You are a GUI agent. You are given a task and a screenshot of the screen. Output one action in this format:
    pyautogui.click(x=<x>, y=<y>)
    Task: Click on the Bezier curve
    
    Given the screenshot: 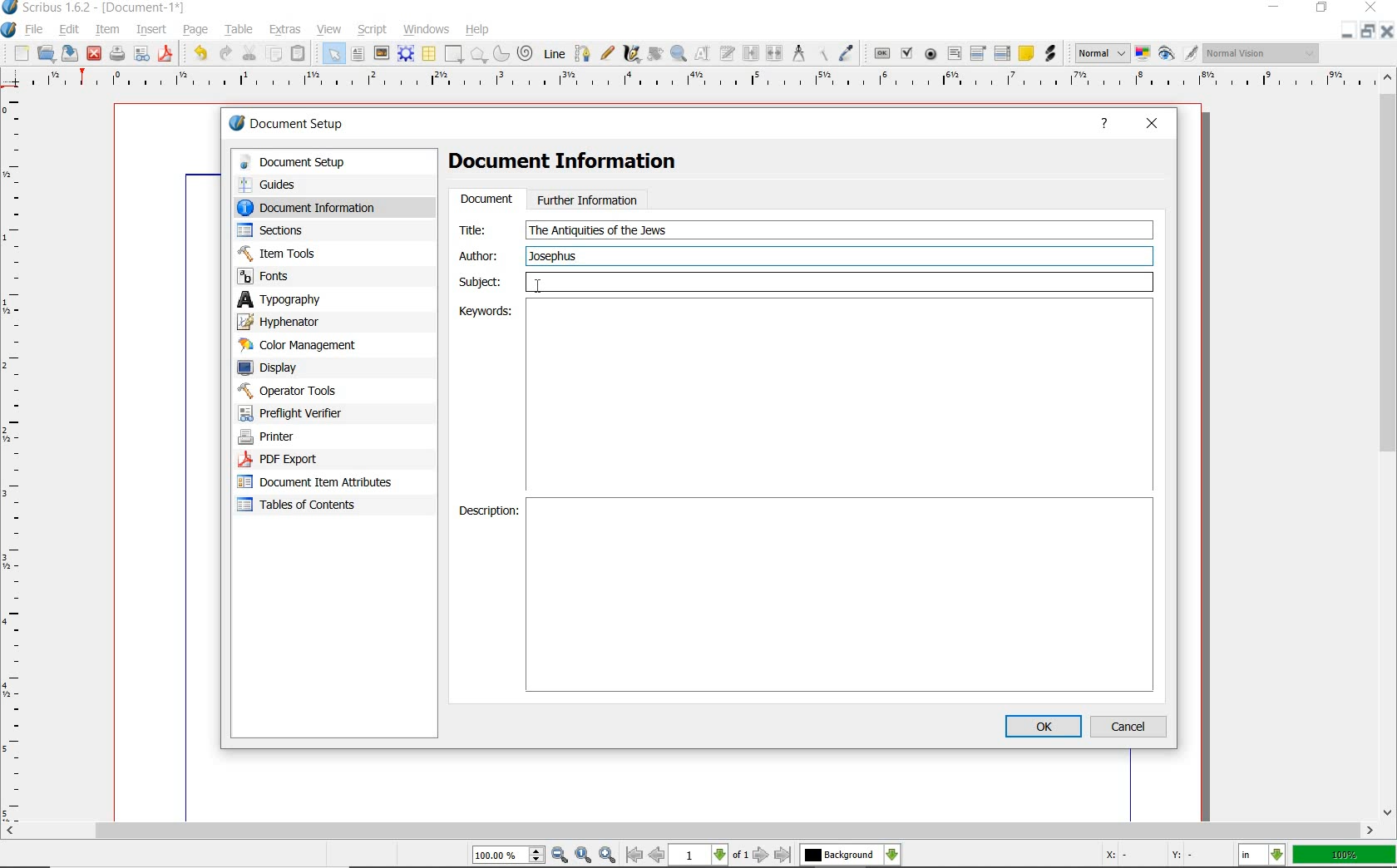 What is the action you would take?
    pyautogui.click(x=582, y=53)
    